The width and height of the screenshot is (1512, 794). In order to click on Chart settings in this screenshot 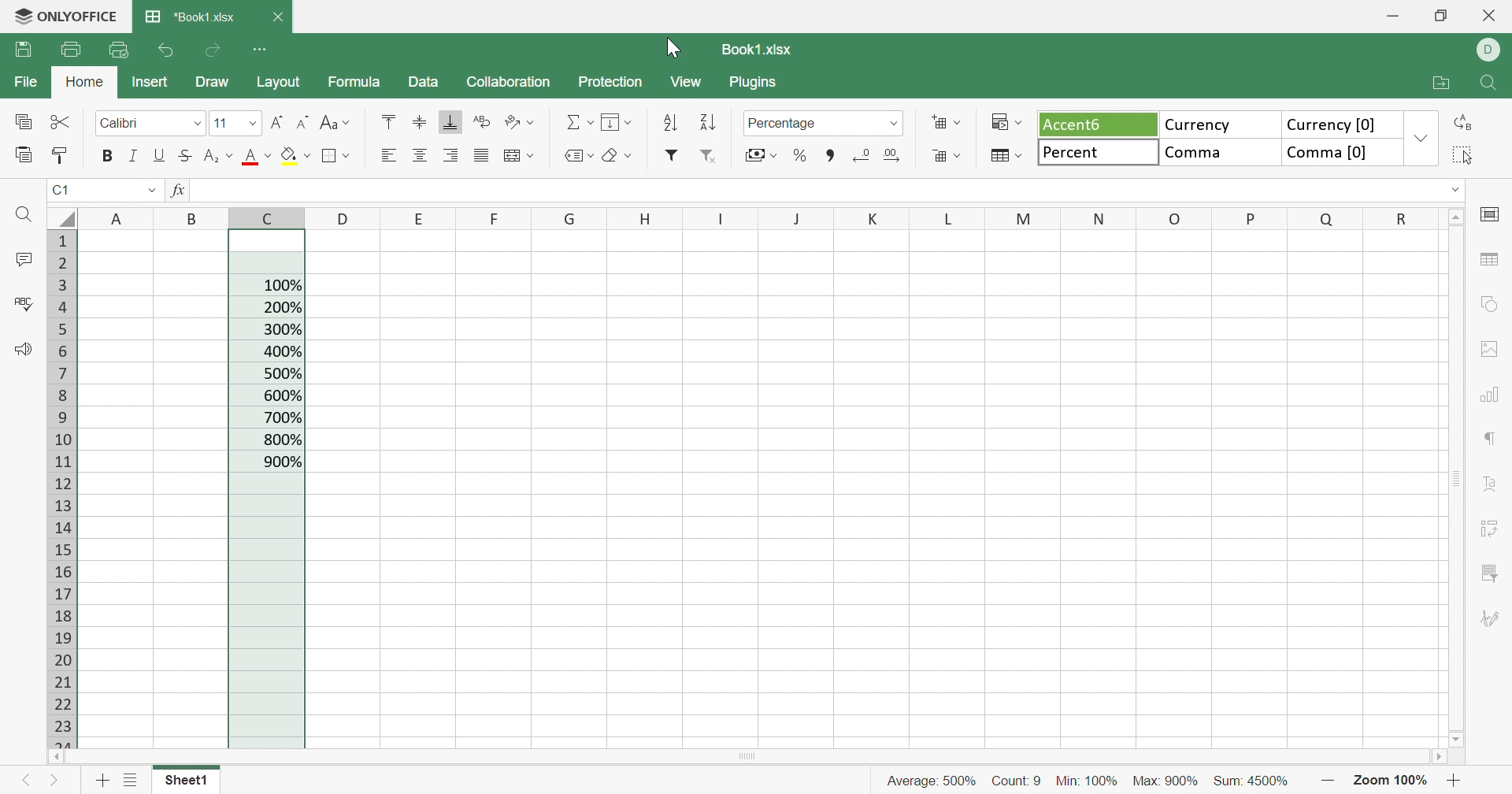, I will do `click(1494, 396)`.